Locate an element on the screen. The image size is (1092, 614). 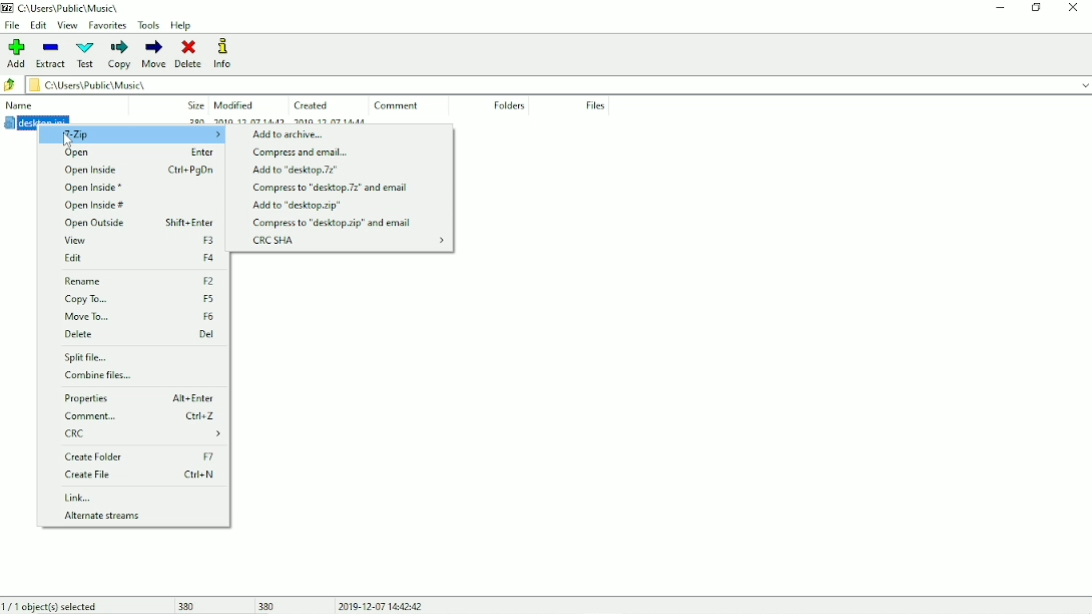
Tools is located at coordinates (148, 25).